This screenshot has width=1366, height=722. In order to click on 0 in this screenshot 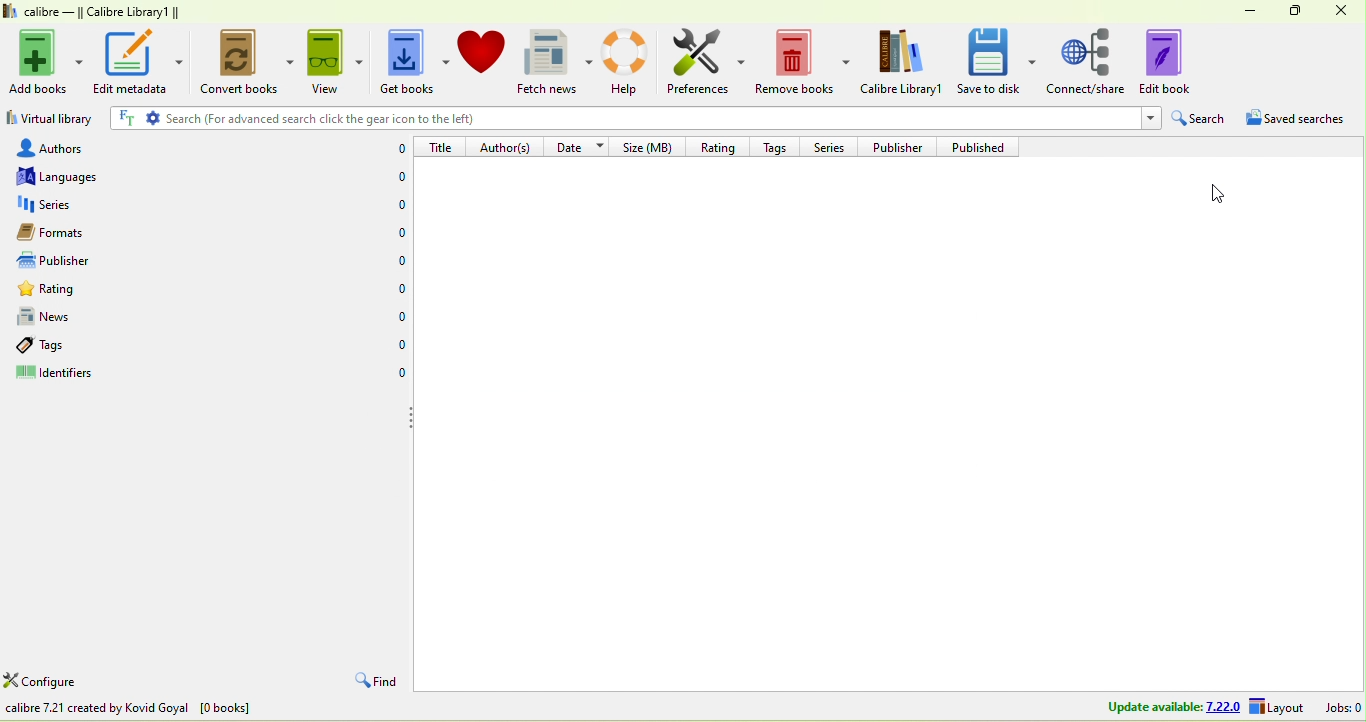, I will do `click(394, 149)`.